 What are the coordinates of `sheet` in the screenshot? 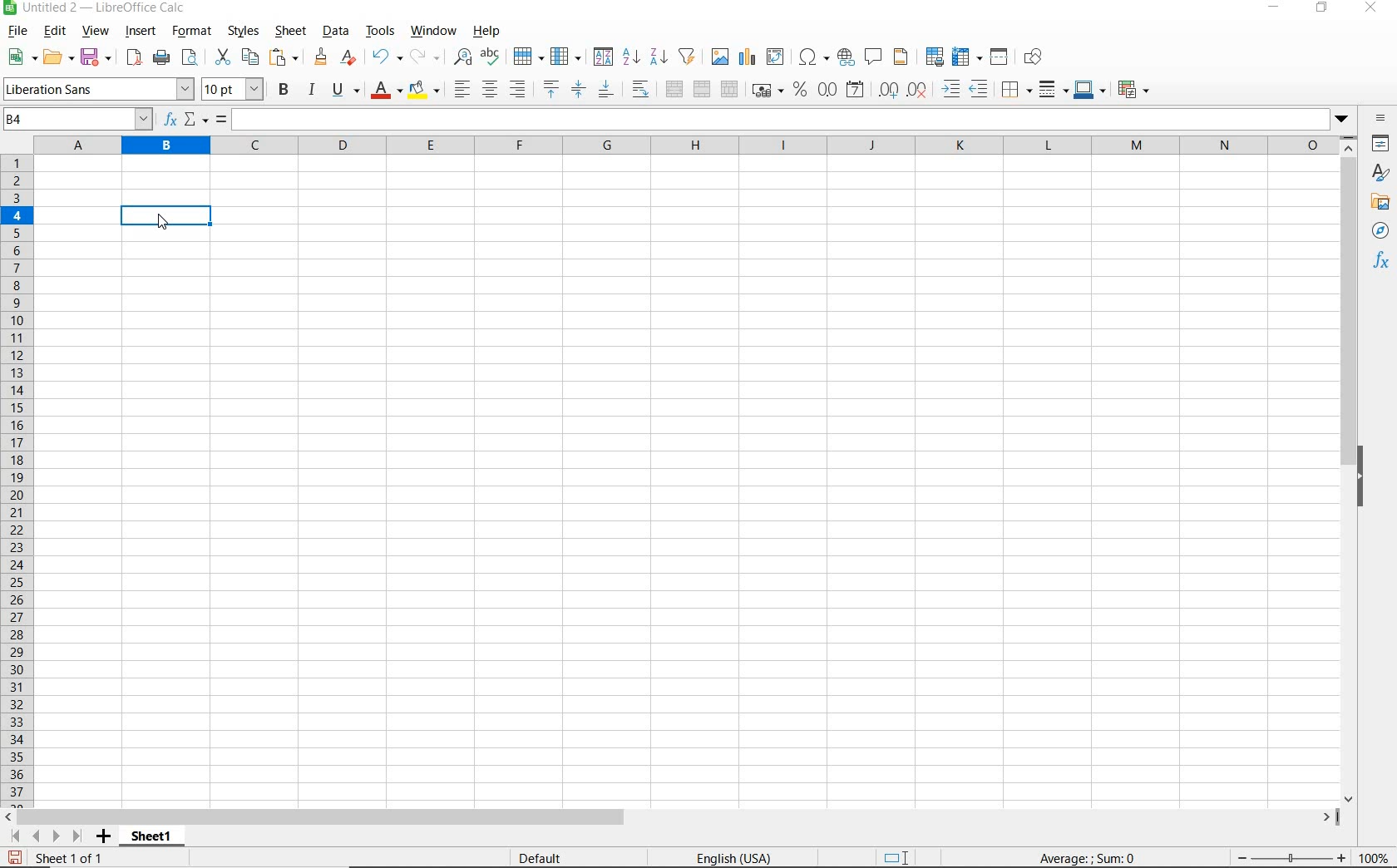 It's located at (293, 32).